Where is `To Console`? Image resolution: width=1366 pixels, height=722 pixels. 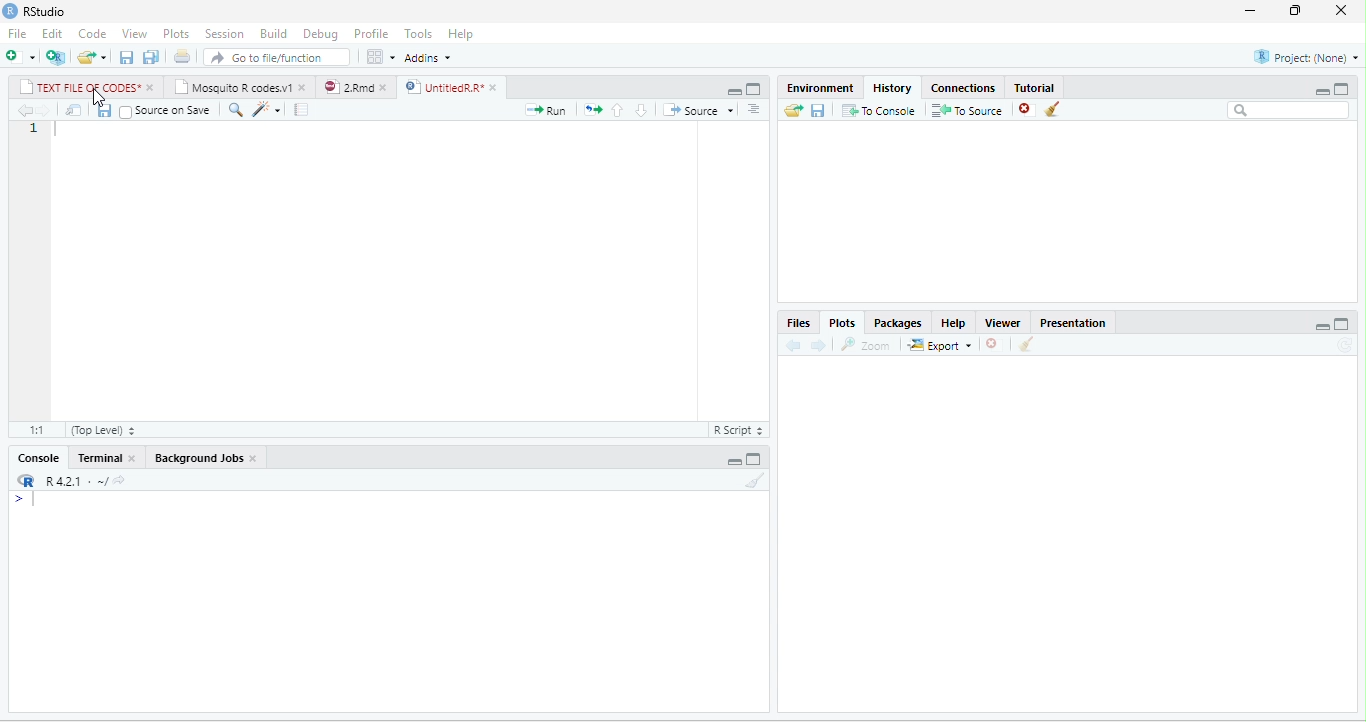
To Console is located at coordinates (879, 109).